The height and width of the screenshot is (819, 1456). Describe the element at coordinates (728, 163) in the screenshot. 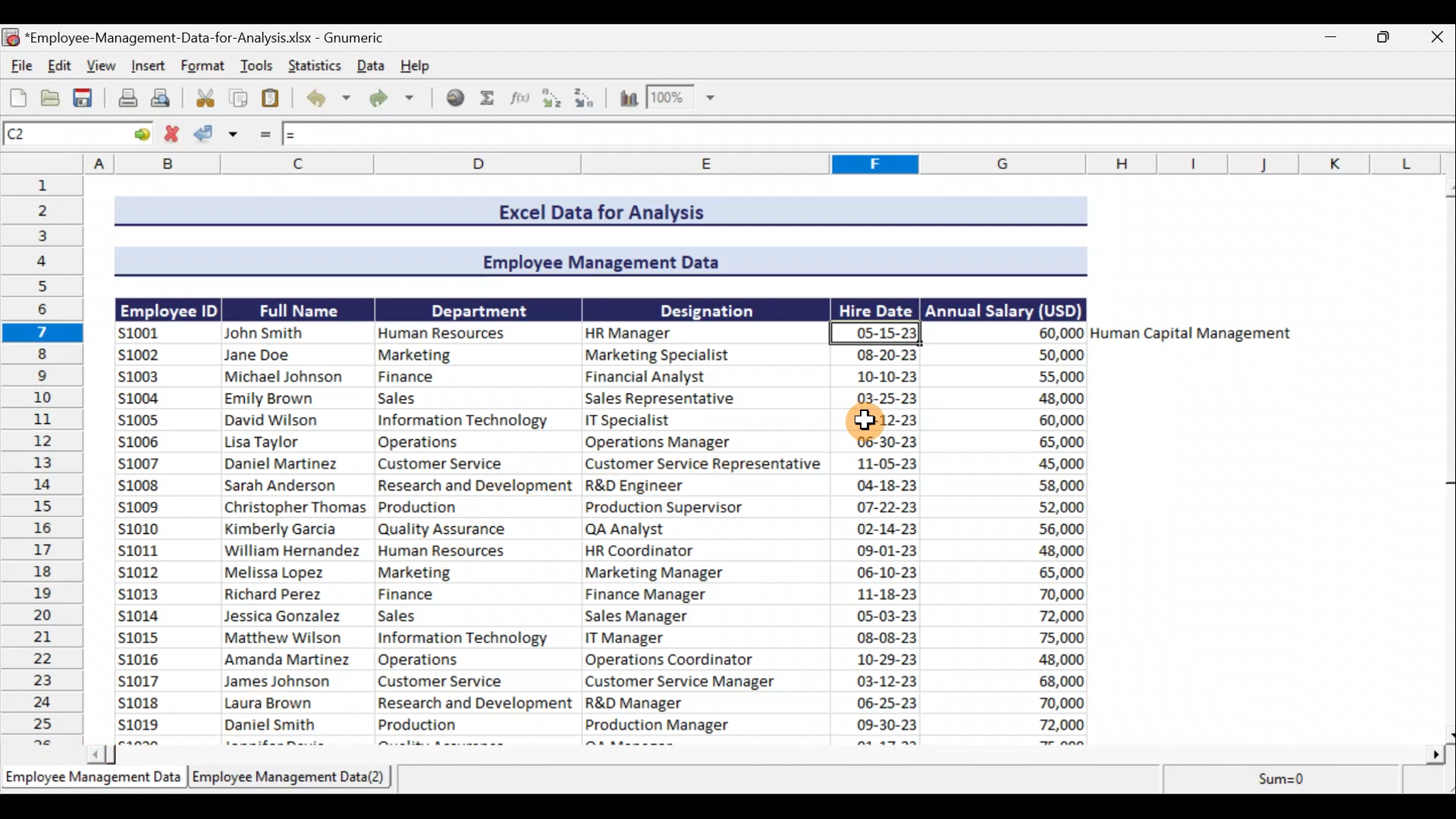

I see `Columns` at that location.